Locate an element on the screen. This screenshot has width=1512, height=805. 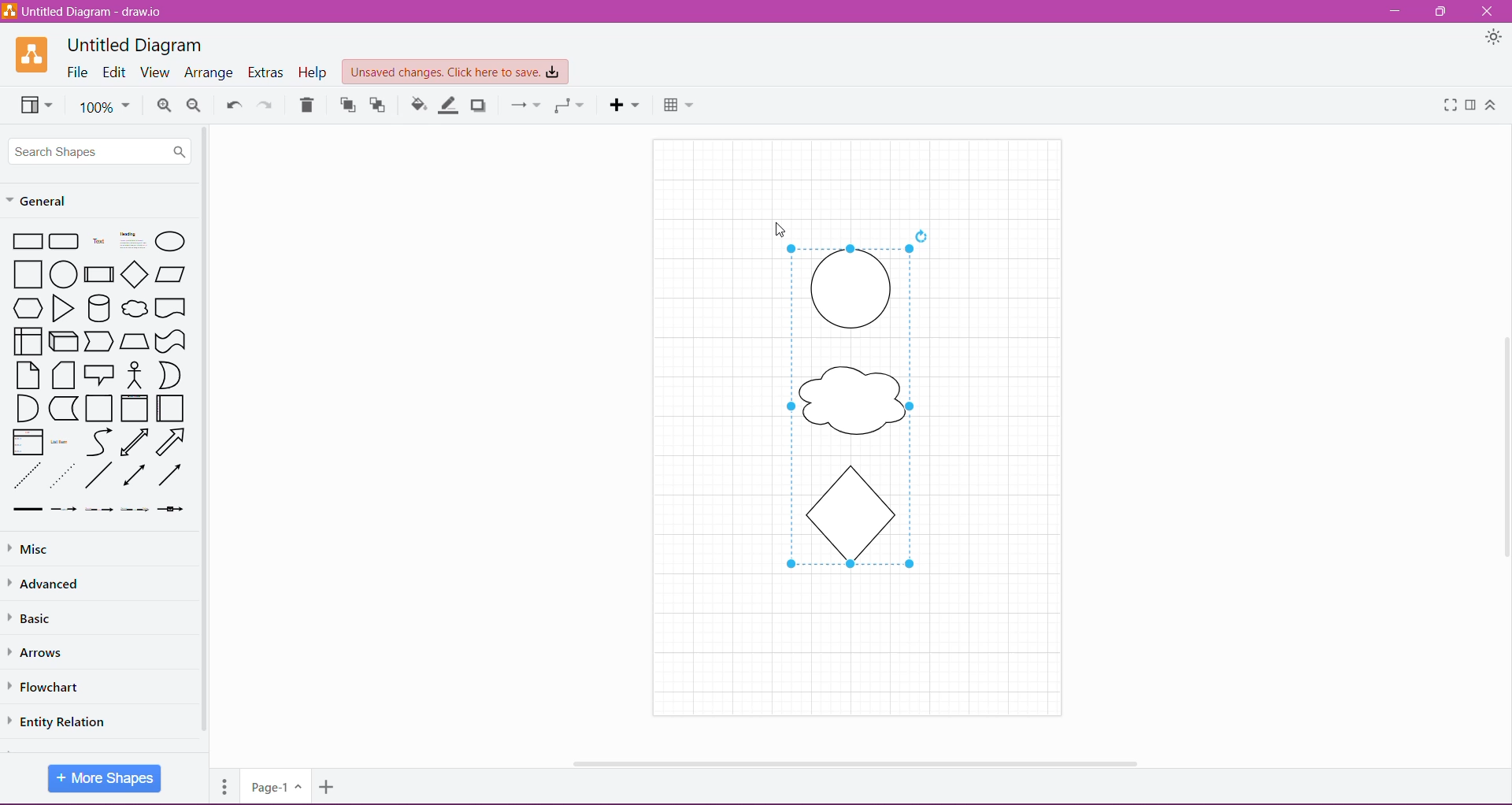
Multiple shapes grouped together is located at coordinates (860, 415).